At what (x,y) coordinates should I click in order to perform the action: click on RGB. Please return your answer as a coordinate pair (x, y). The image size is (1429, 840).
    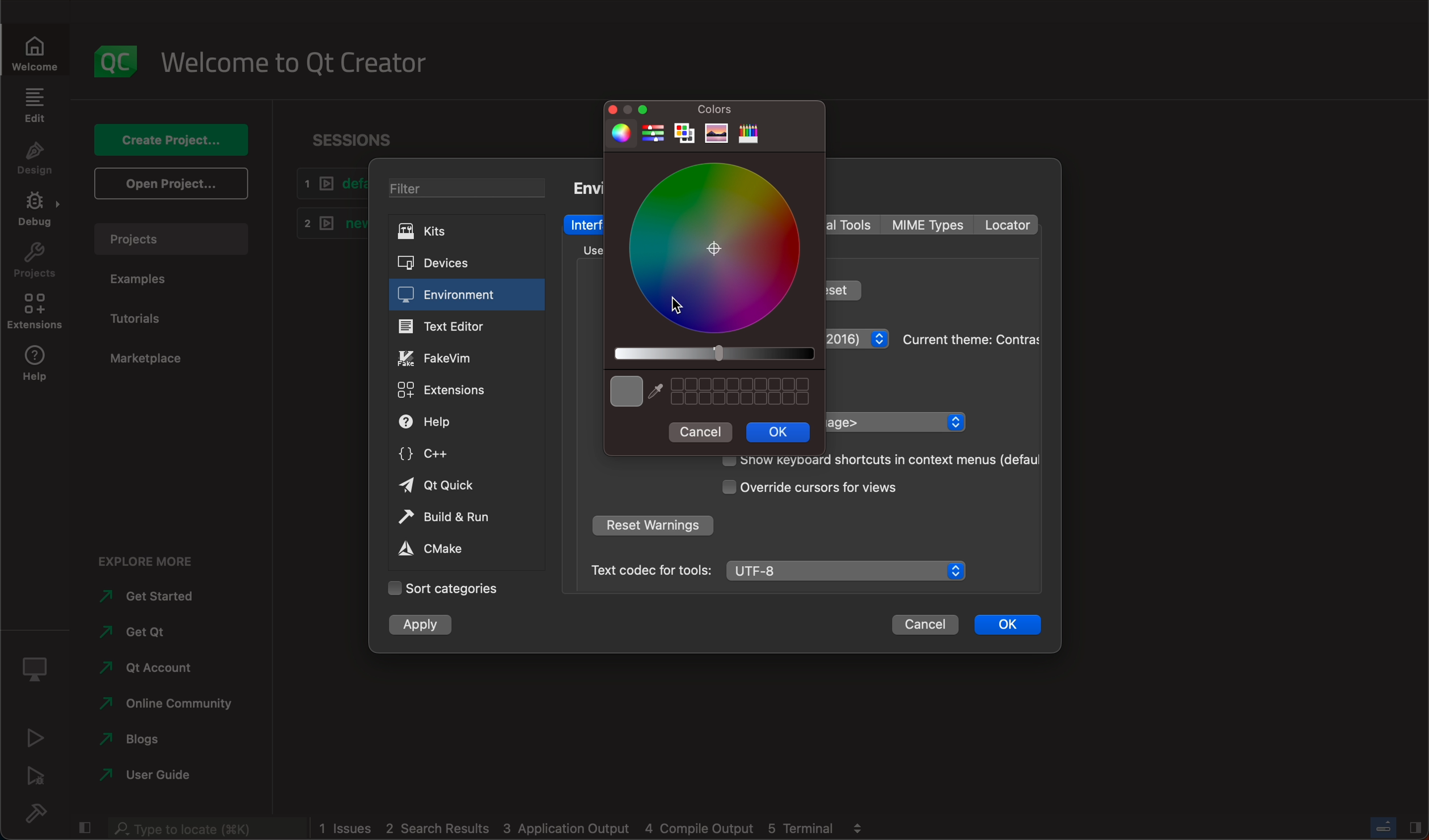
    Looking at the image, I should click on (653, 134).